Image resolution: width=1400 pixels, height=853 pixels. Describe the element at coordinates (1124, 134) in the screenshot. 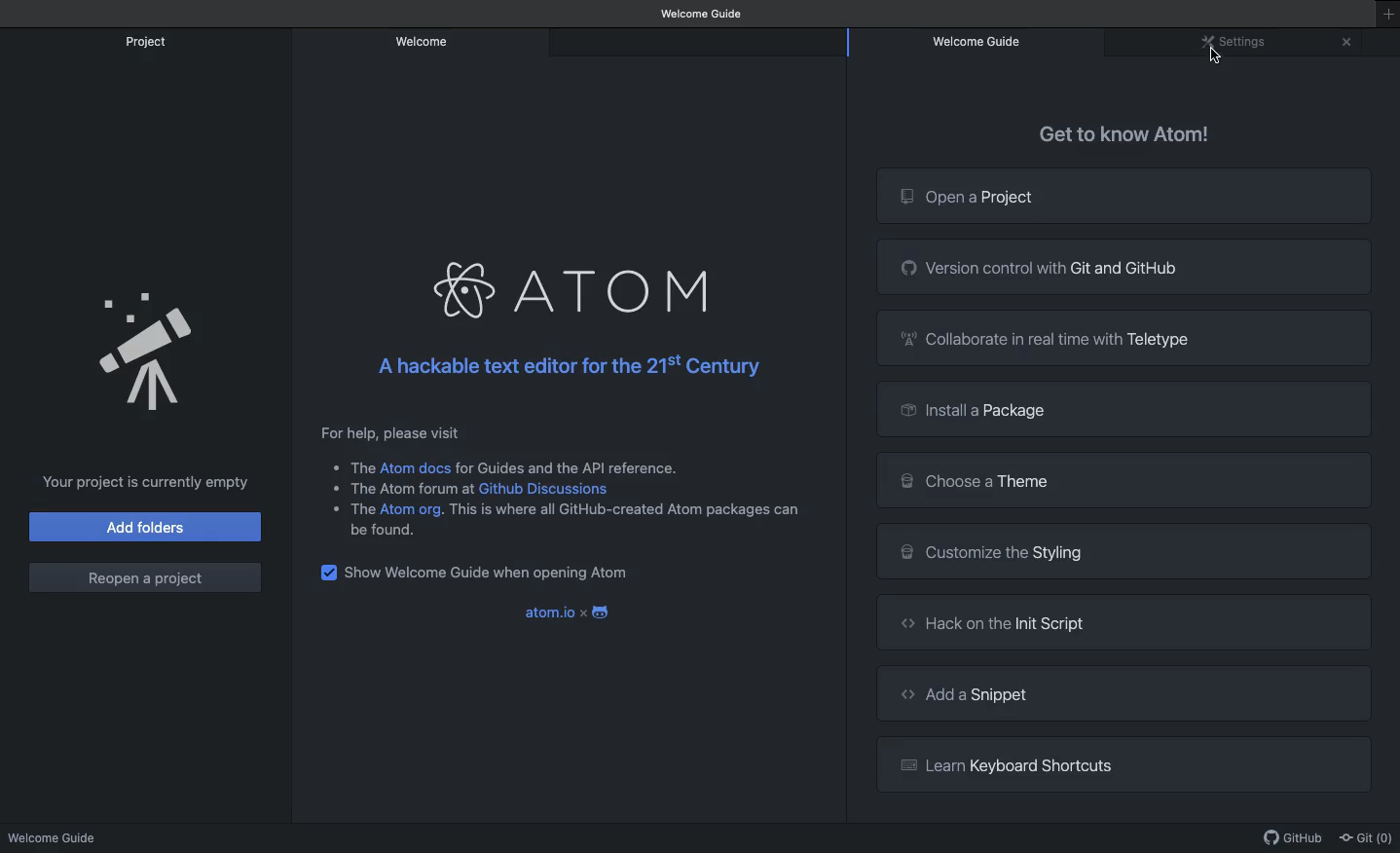

I see `Get to know Atom` at that location.